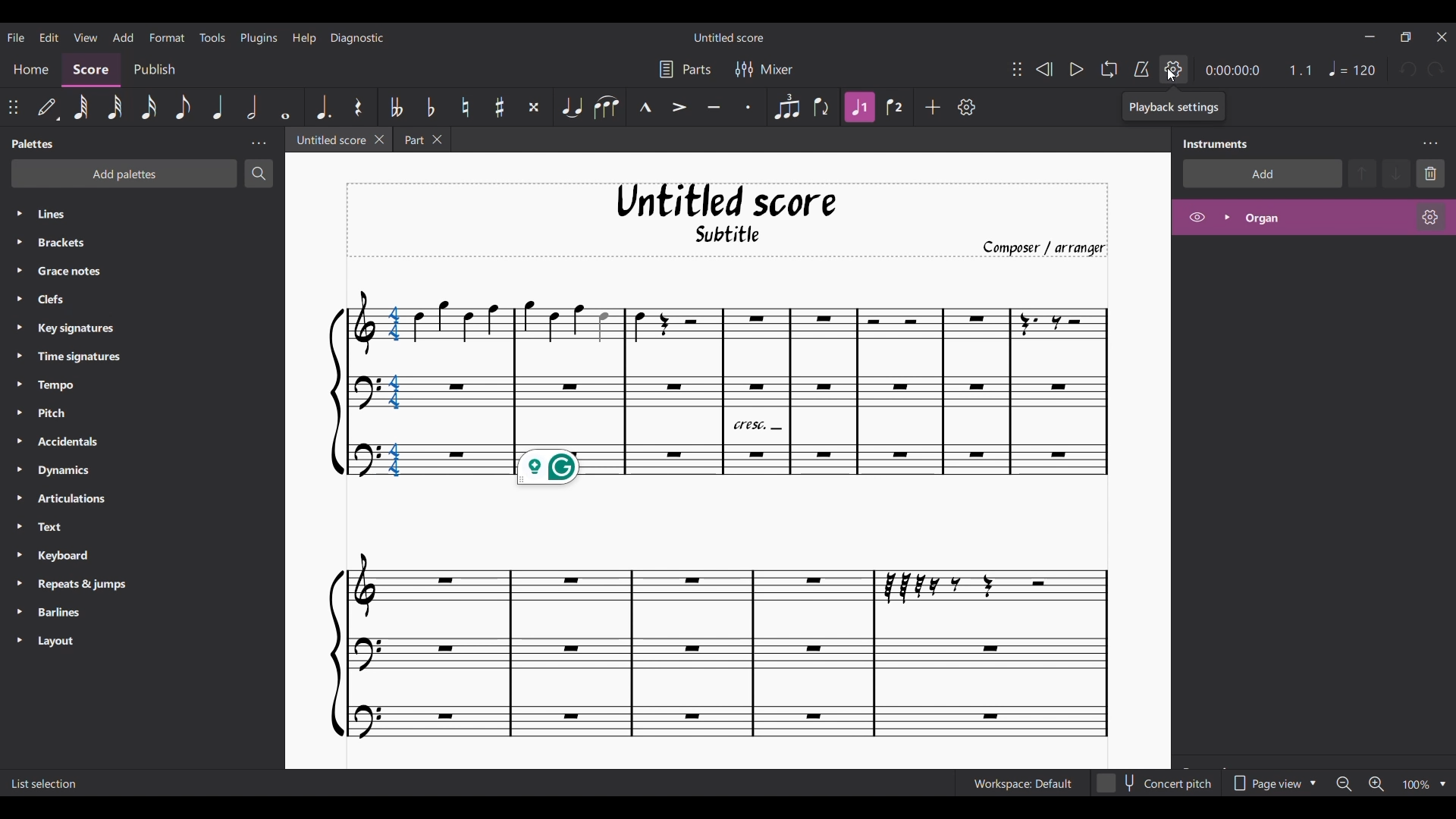 This screenshot has height=819, width=1456. Describe the element at coordinates (85, 36) in the screenshot. I see `View menu` at that location.